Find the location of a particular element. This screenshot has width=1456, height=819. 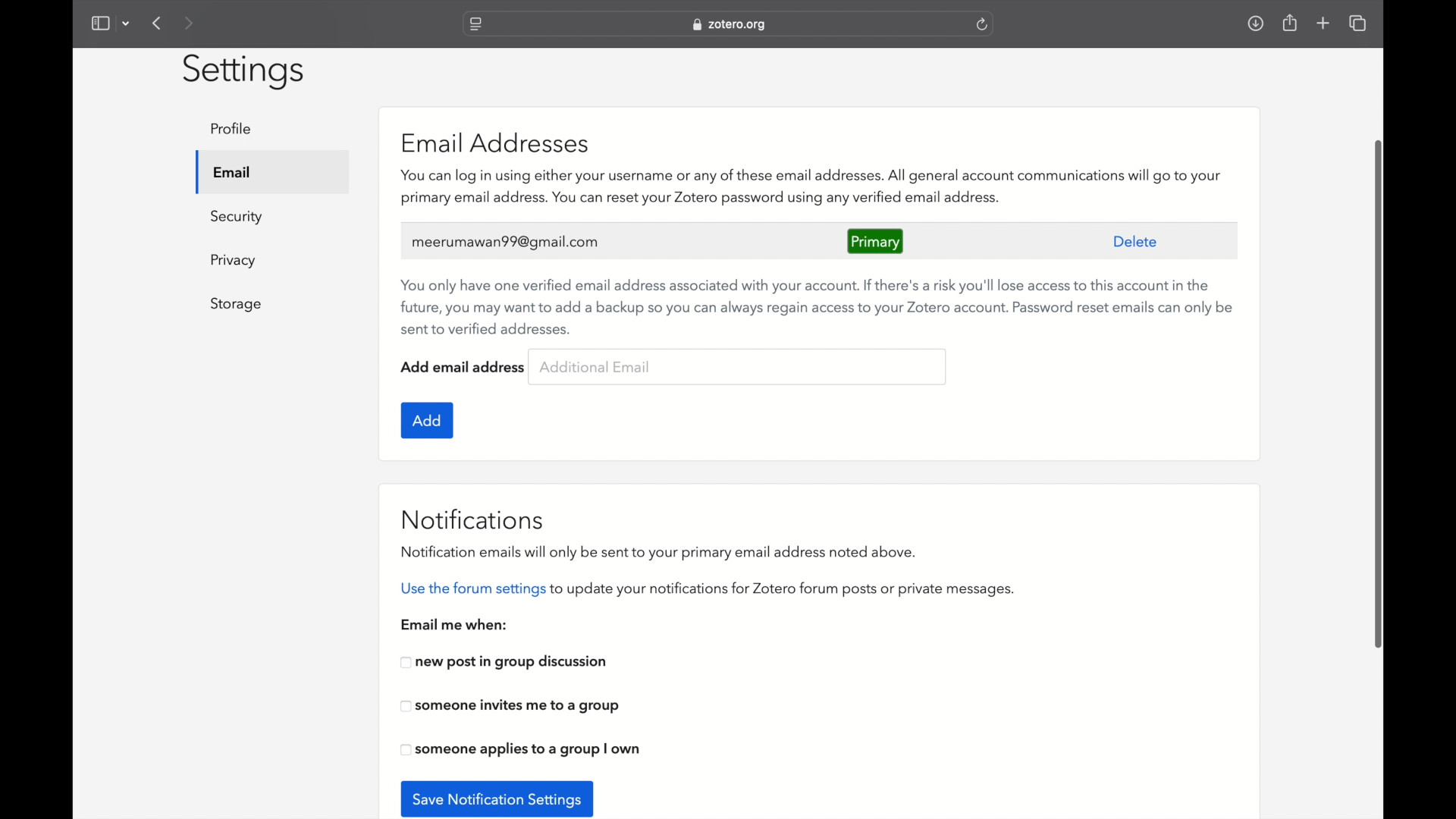

new post in group discussion is located at coordinates (505, 663).